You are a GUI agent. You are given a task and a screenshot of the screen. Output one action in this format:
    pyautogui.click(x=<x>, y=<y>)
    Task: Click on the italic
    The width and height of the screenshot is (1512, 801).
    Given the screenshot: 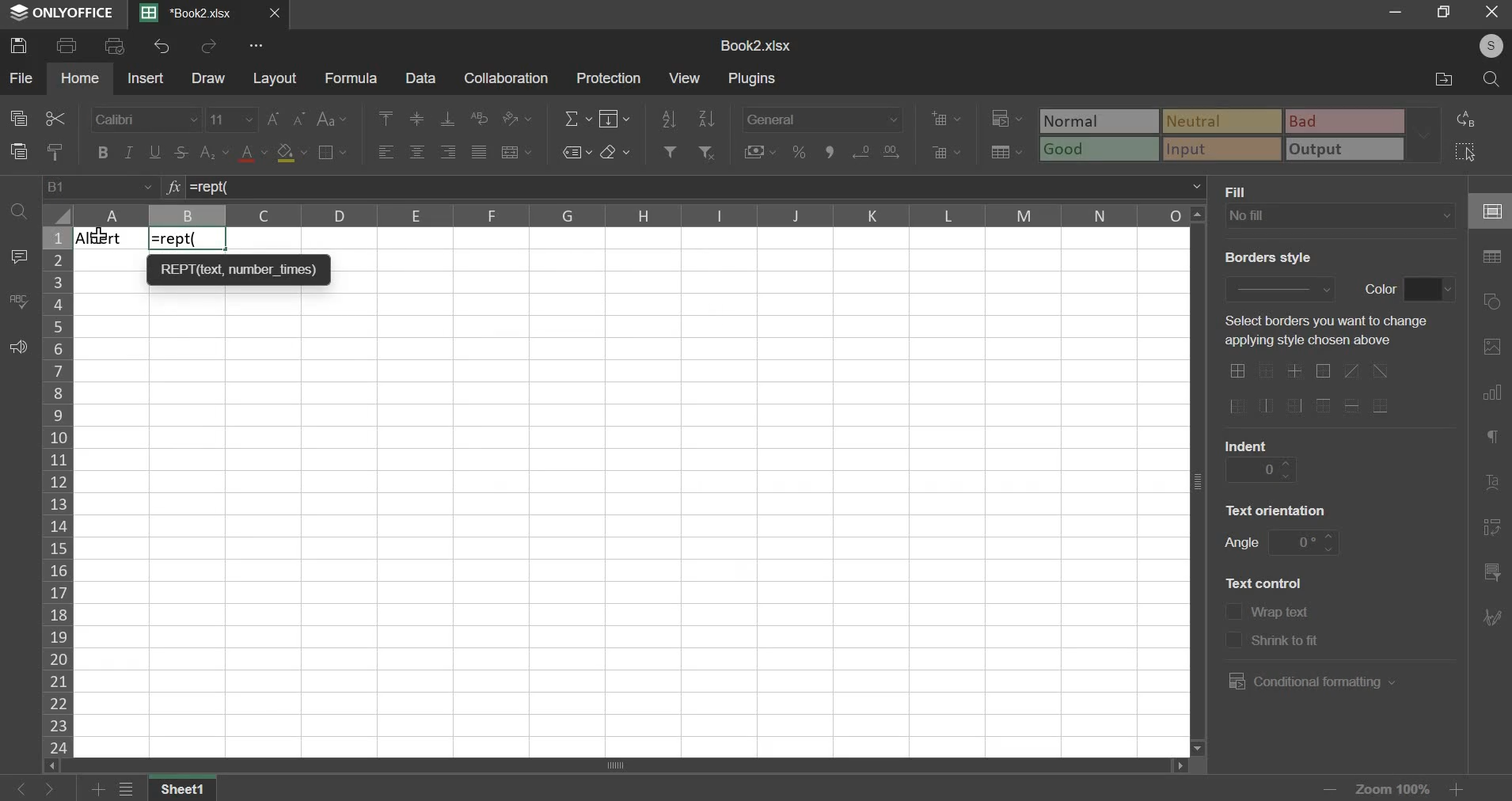 What is the action you would take?
    pyautogui.click(x=130, y=152)
    